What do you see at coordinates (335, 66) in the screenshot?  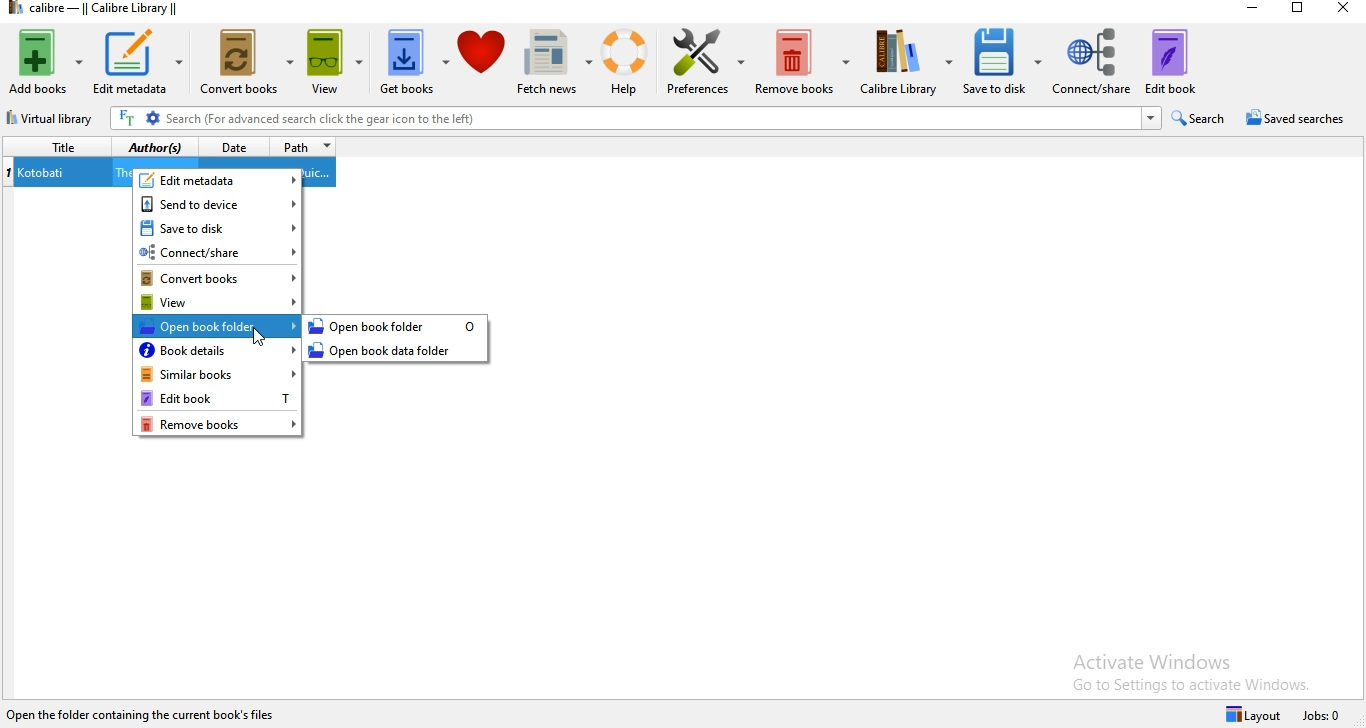 I see `view` at bounding box center [335, 66].